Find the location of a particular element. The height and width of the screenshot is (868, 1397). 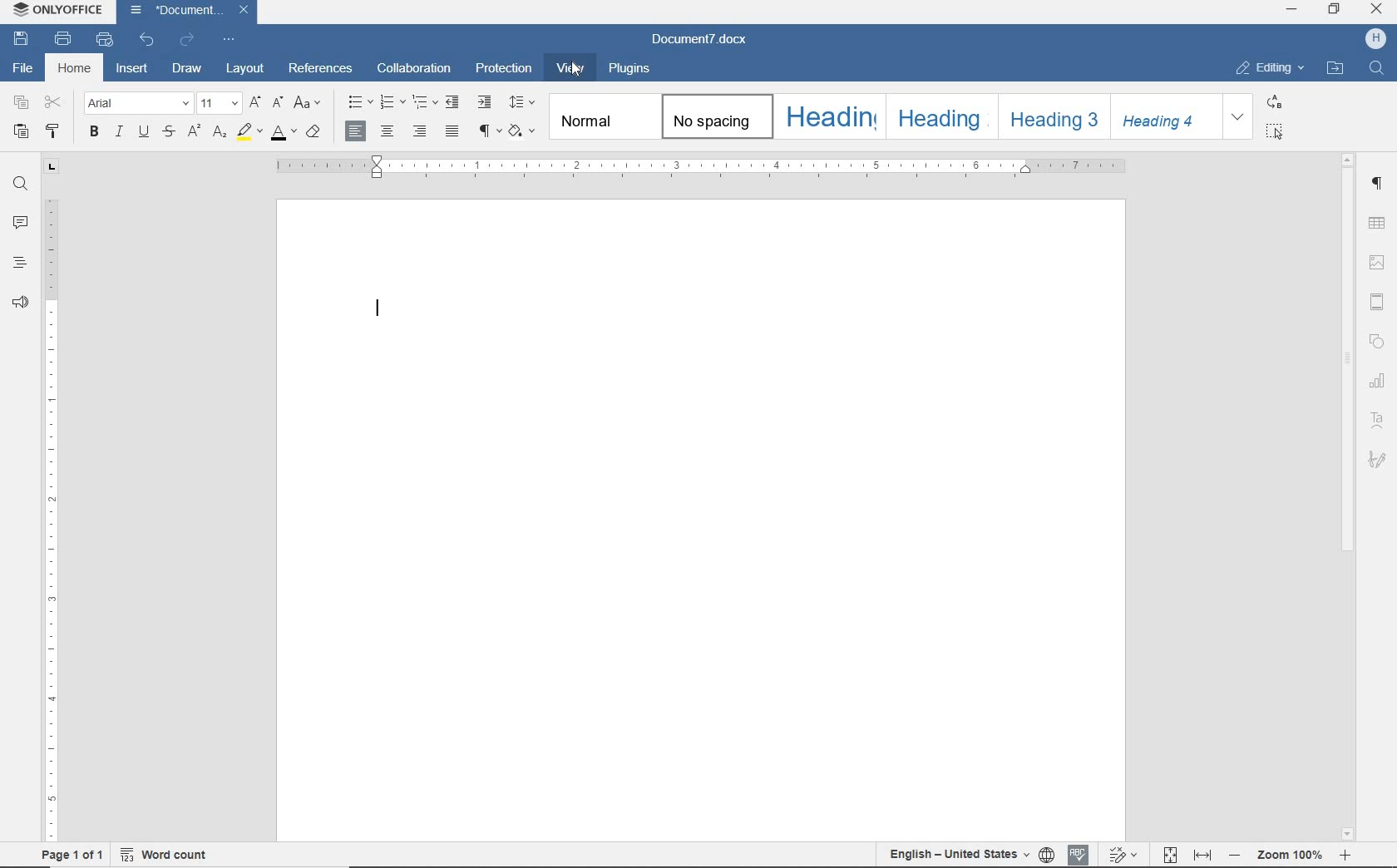

SUPERSCRIPT is located at coordinates (194, 132).